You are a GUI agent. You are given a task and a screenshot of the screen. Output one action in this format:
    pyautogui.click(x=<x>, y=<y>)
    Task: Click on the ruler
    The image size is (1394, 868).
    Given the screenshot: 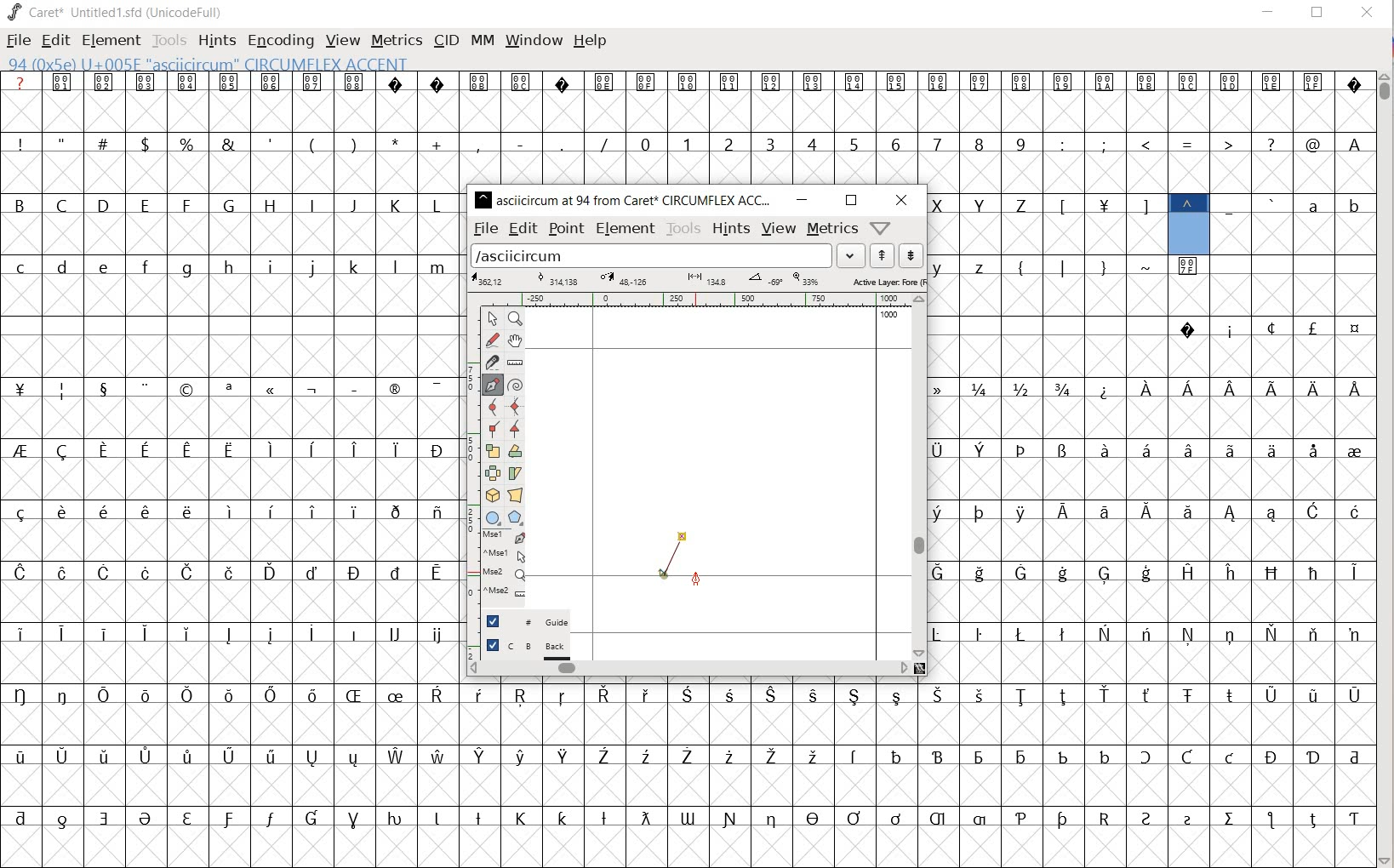 What is the action you would take?
    pyautogui.click(x=694, y=300)
    